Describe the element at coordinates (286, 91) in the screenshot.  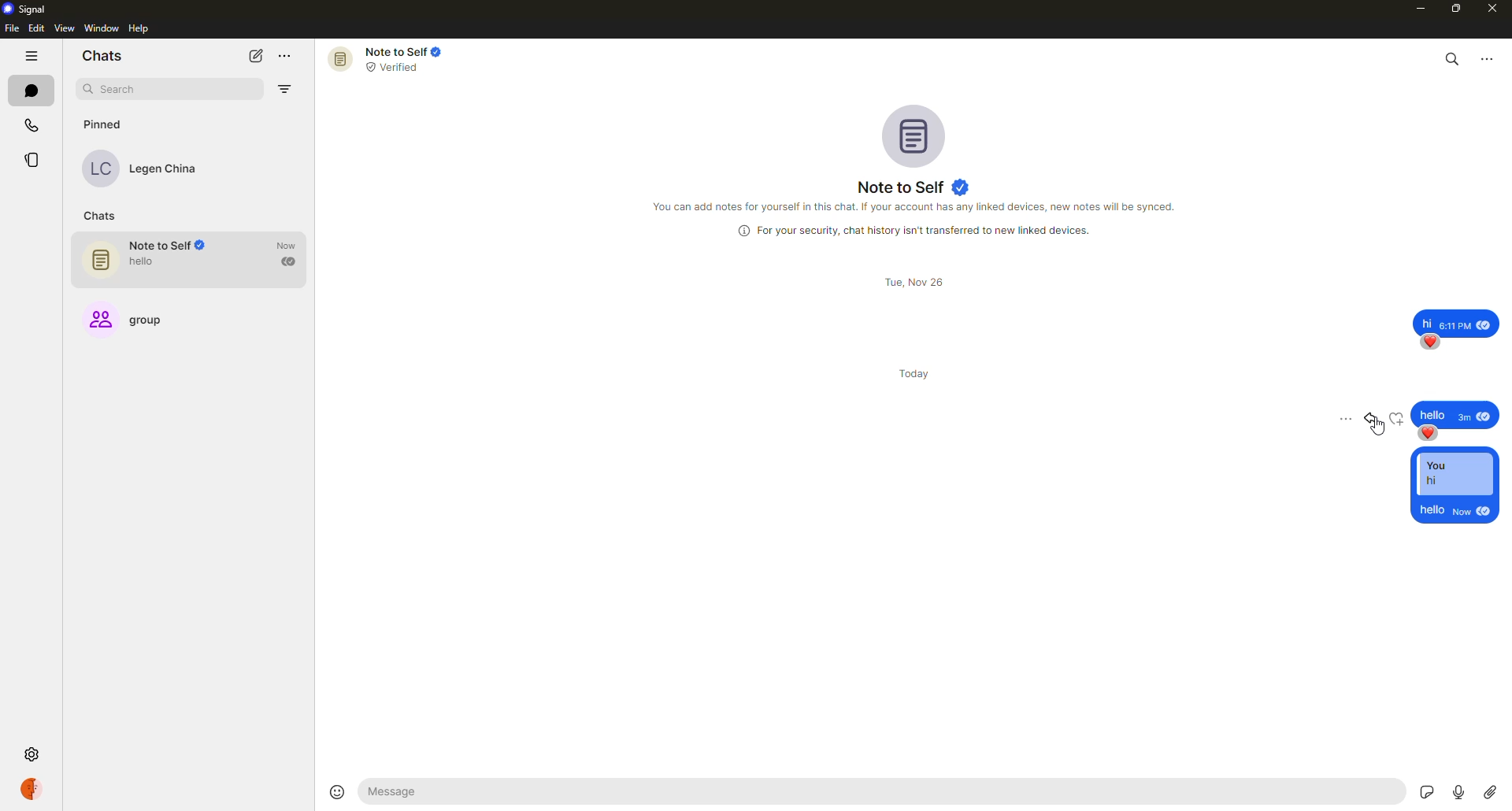
I see `filter` at that location.